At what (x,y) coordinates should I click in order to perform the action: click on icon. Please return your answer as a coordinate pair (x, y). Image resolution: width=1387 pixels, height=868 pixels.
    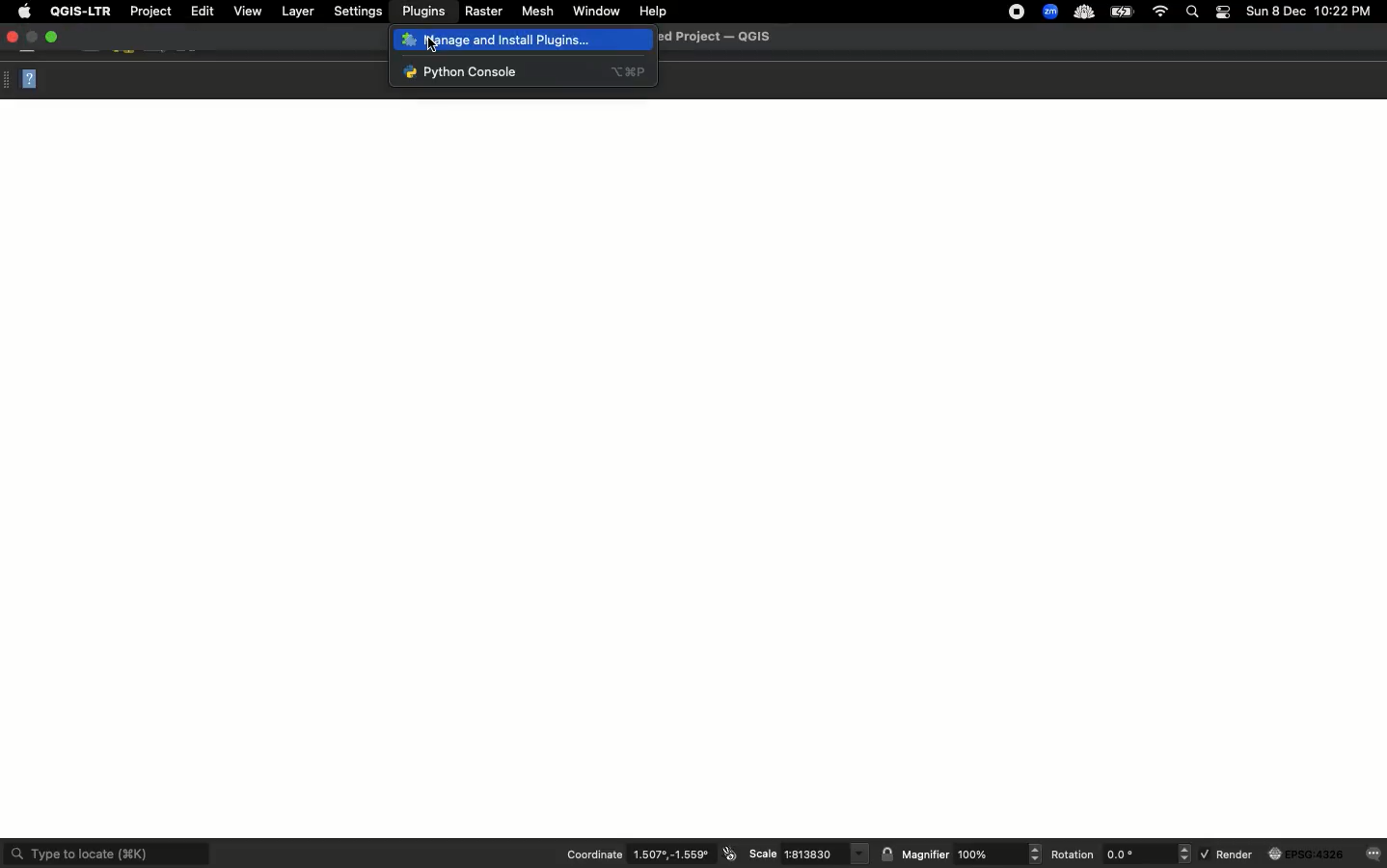
    Looking at the image, I should click on (731, 854).